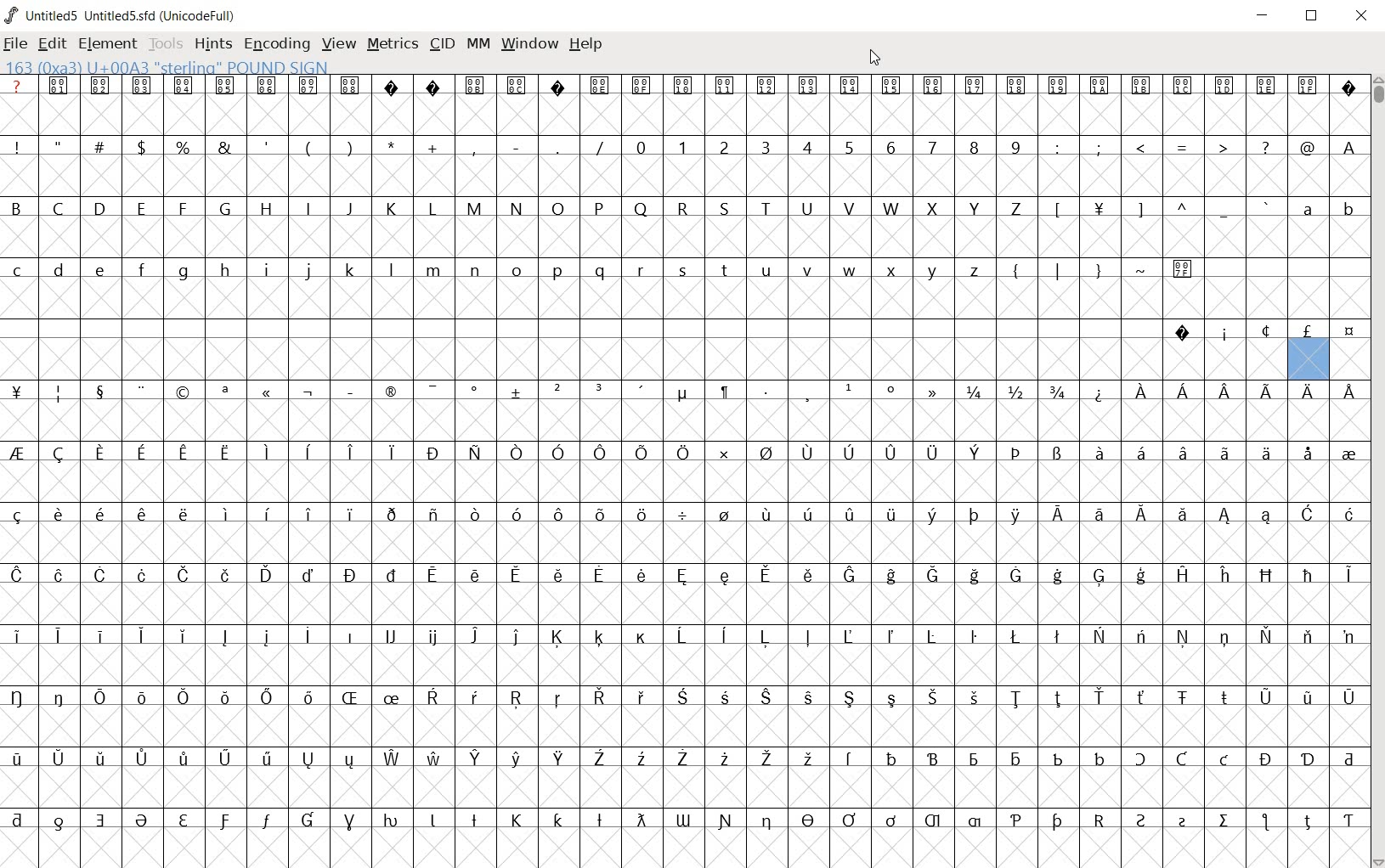 The height and width of the screenshot is (868, 1385). What do you see at coordinates (849, 575) in the screenshot?
I see `Symbol` at bounding box center [849, 575].